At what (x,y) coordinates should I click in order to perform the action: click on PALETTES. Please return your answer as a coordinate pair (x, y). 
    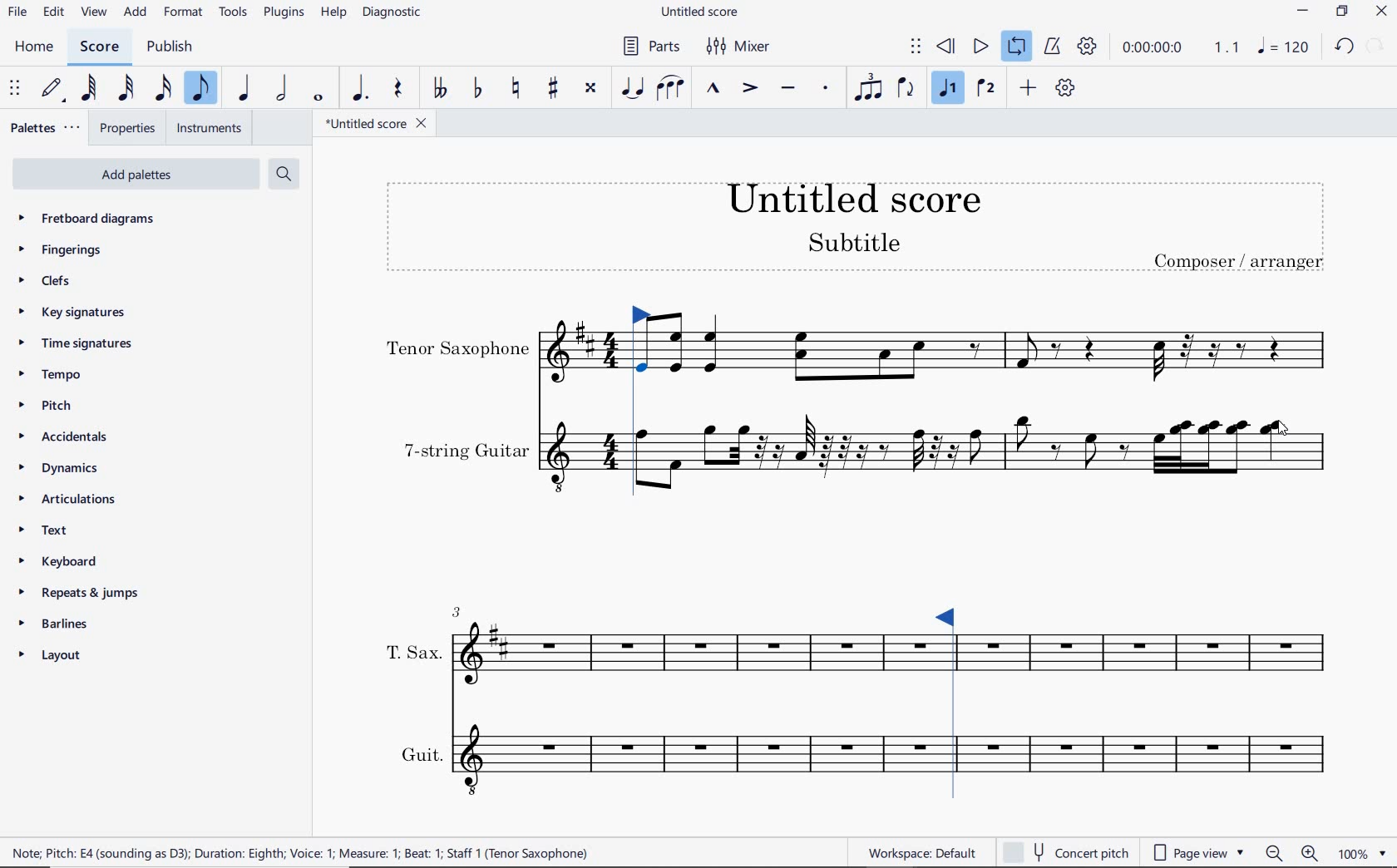
    Looking at the image, I should click on (44, 126).